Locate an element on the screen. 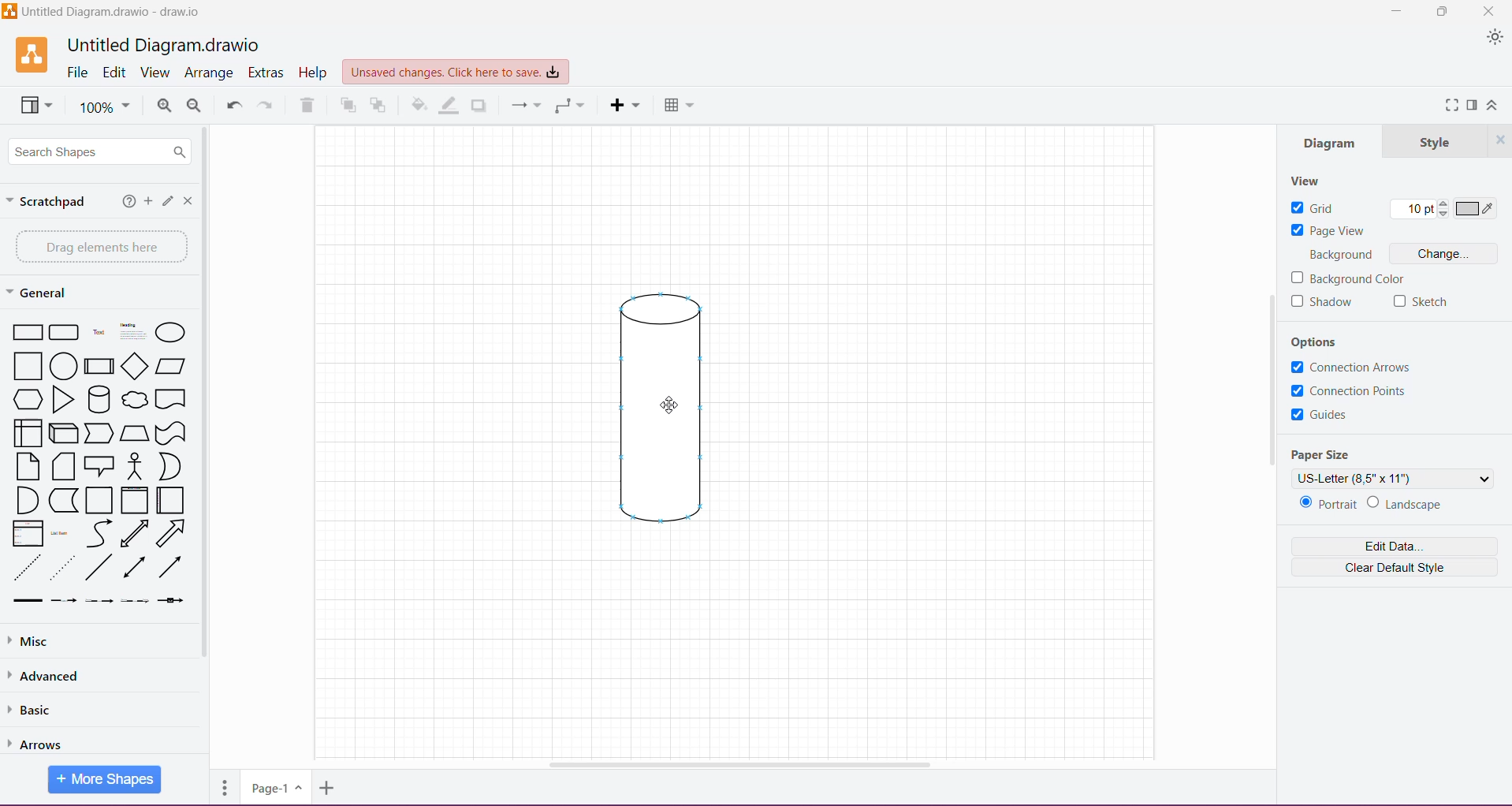 The height and width of the screenshot is (806, 1512). Format is located at coordinates (1472, 106).